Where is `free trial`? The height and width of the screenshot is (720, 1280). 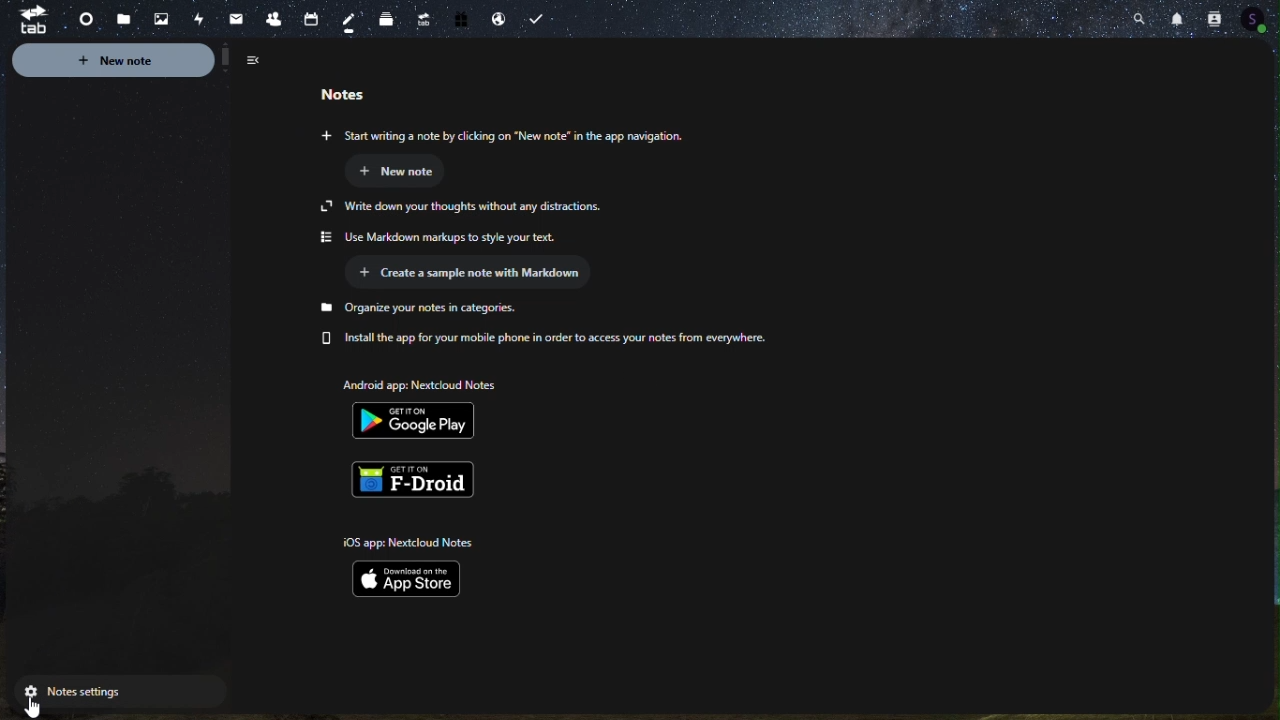 free trial is located at coordinates (456, 22).